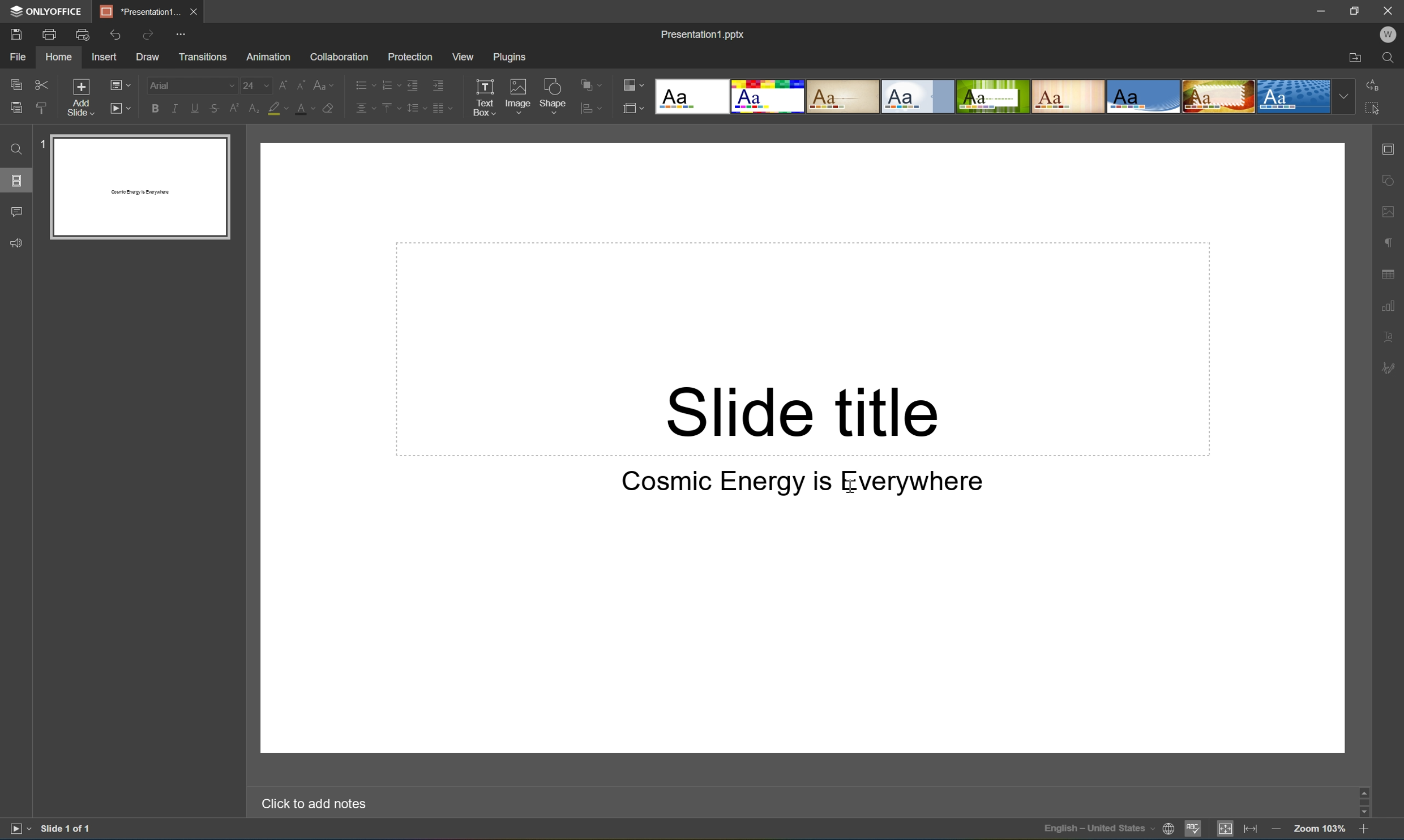  I want to click on Paragraph settings, so click(1386, 243).